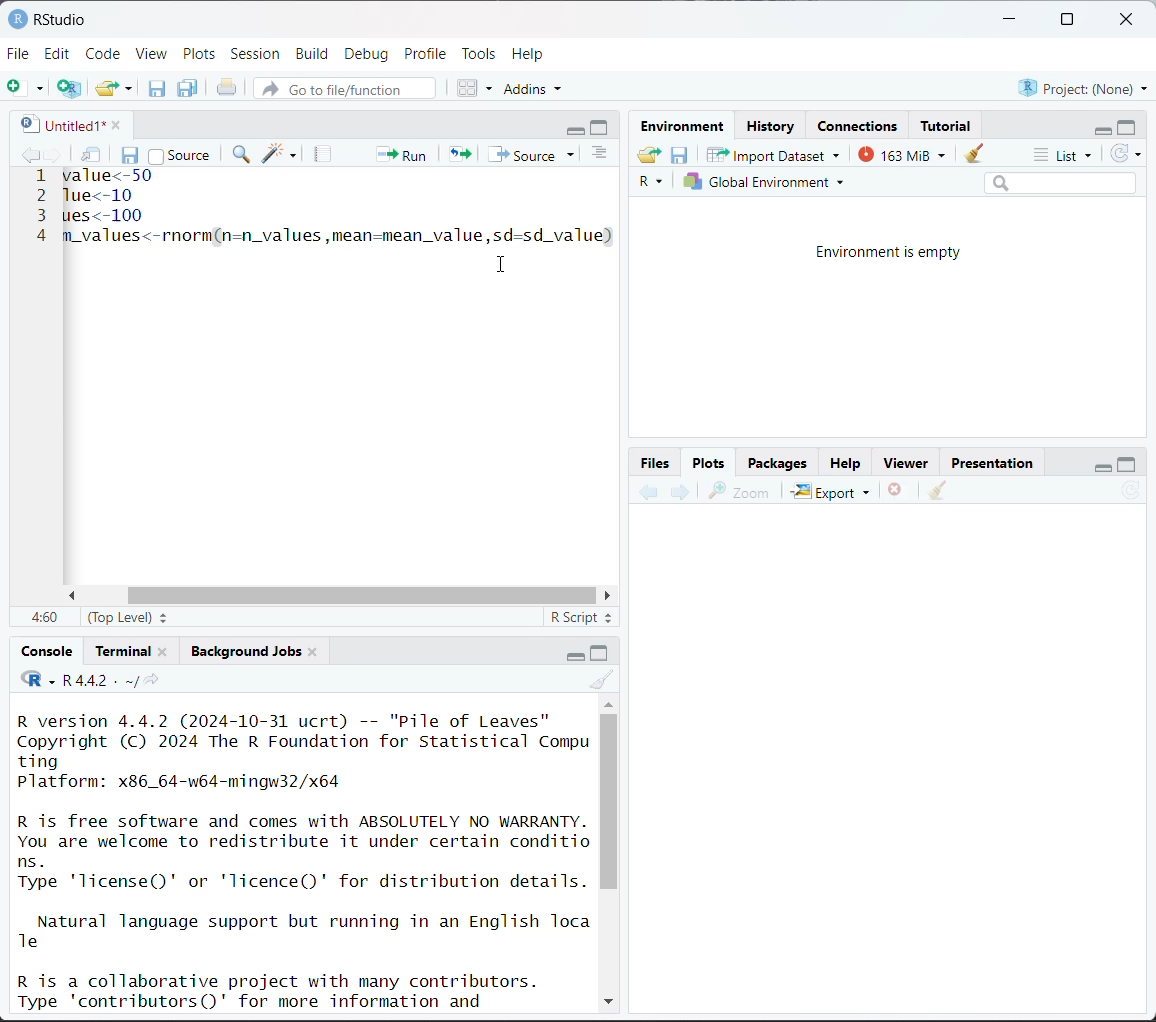 Image resolution: width=1156 pixels, height=1022 pixels. Describe the element at coordinates (1130, 20) in the screenshot. I see `close` at that location.